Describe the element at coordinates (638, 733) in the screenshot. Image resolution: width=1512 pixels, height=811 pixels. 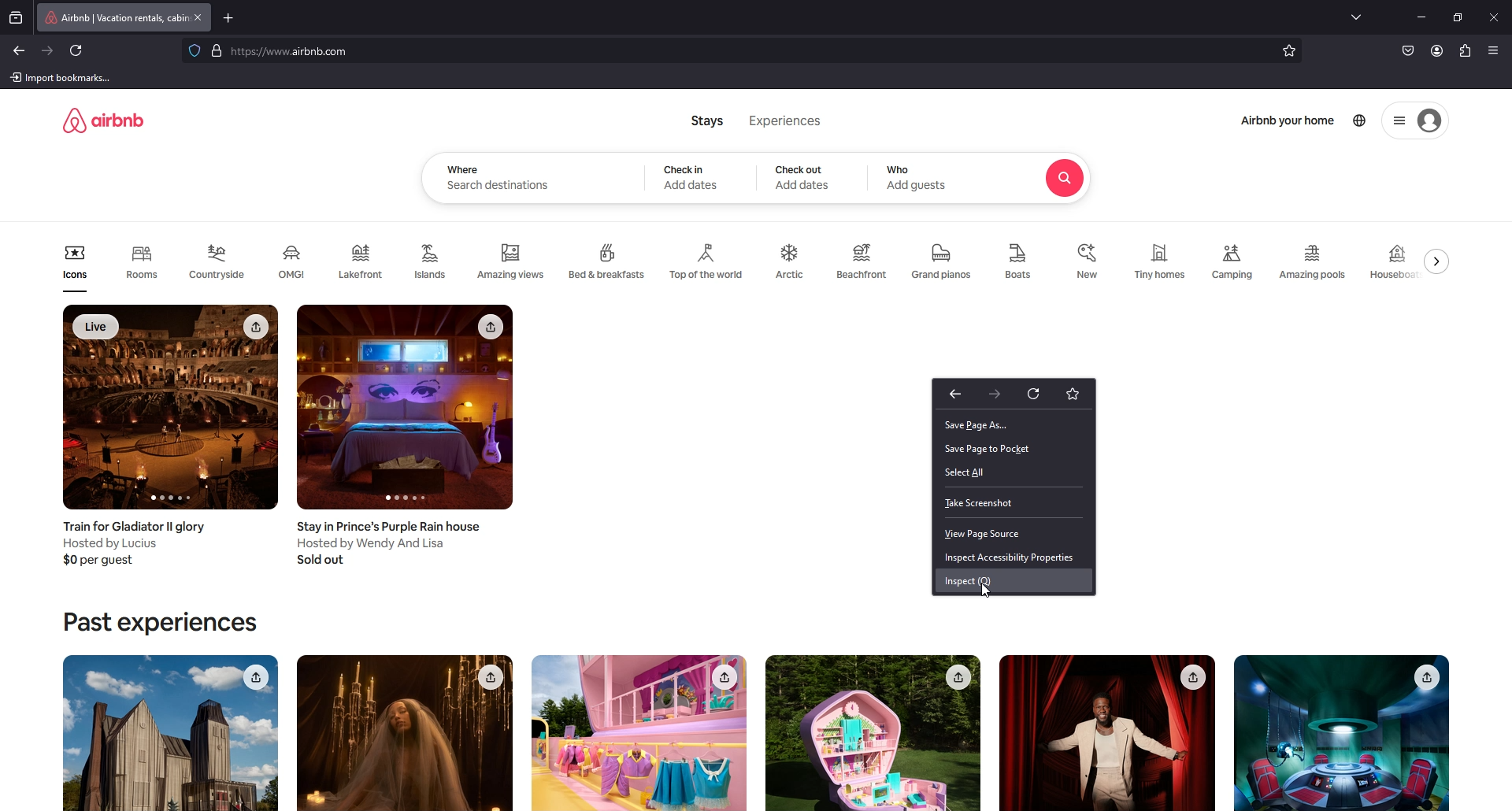
I see `image` at that location.